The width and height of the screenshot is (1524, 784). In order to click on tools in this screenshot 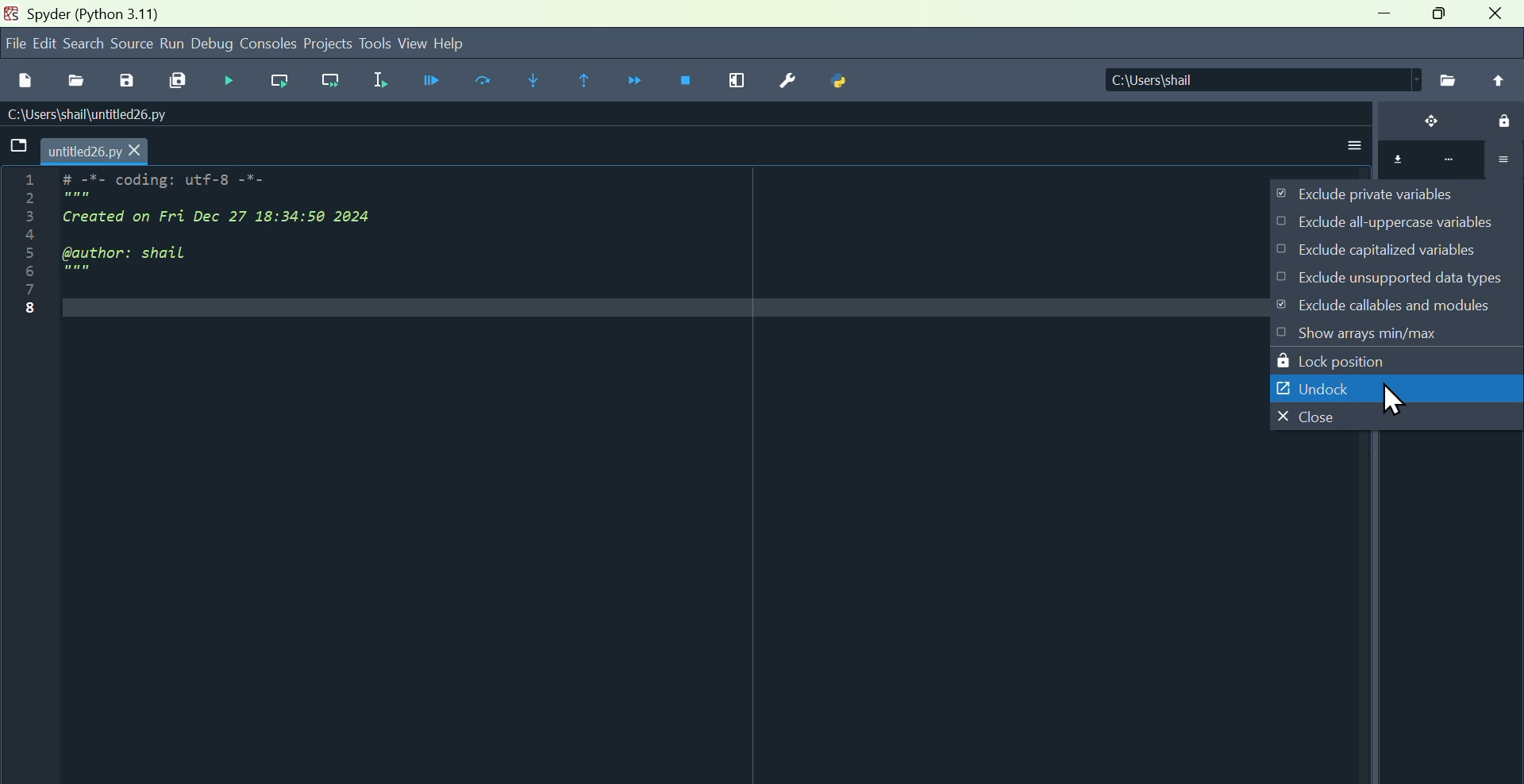, I will do `click(375, 43)`.